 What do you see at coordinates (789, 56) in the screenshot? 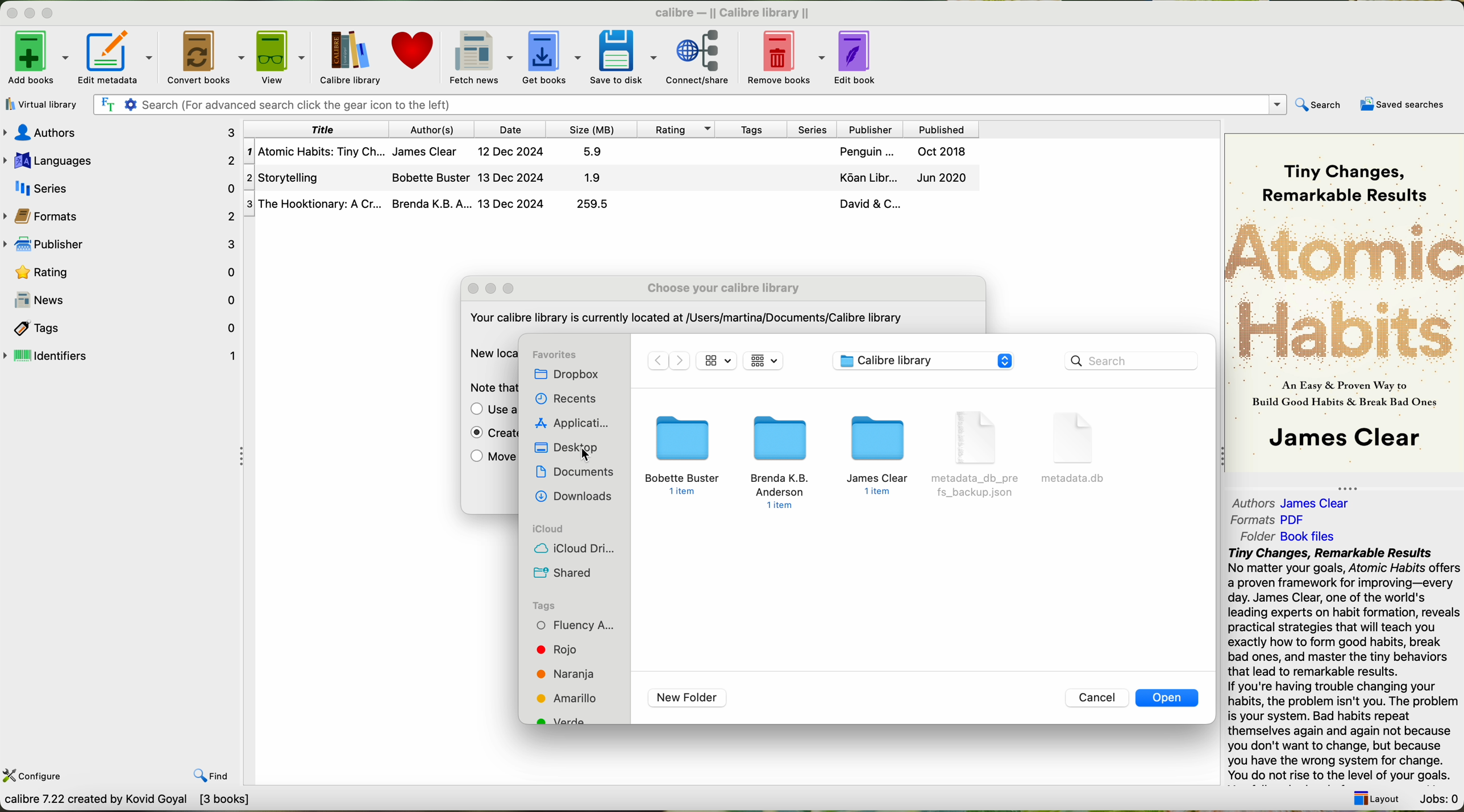
I see `remove books` at bounding box center [789, 56].